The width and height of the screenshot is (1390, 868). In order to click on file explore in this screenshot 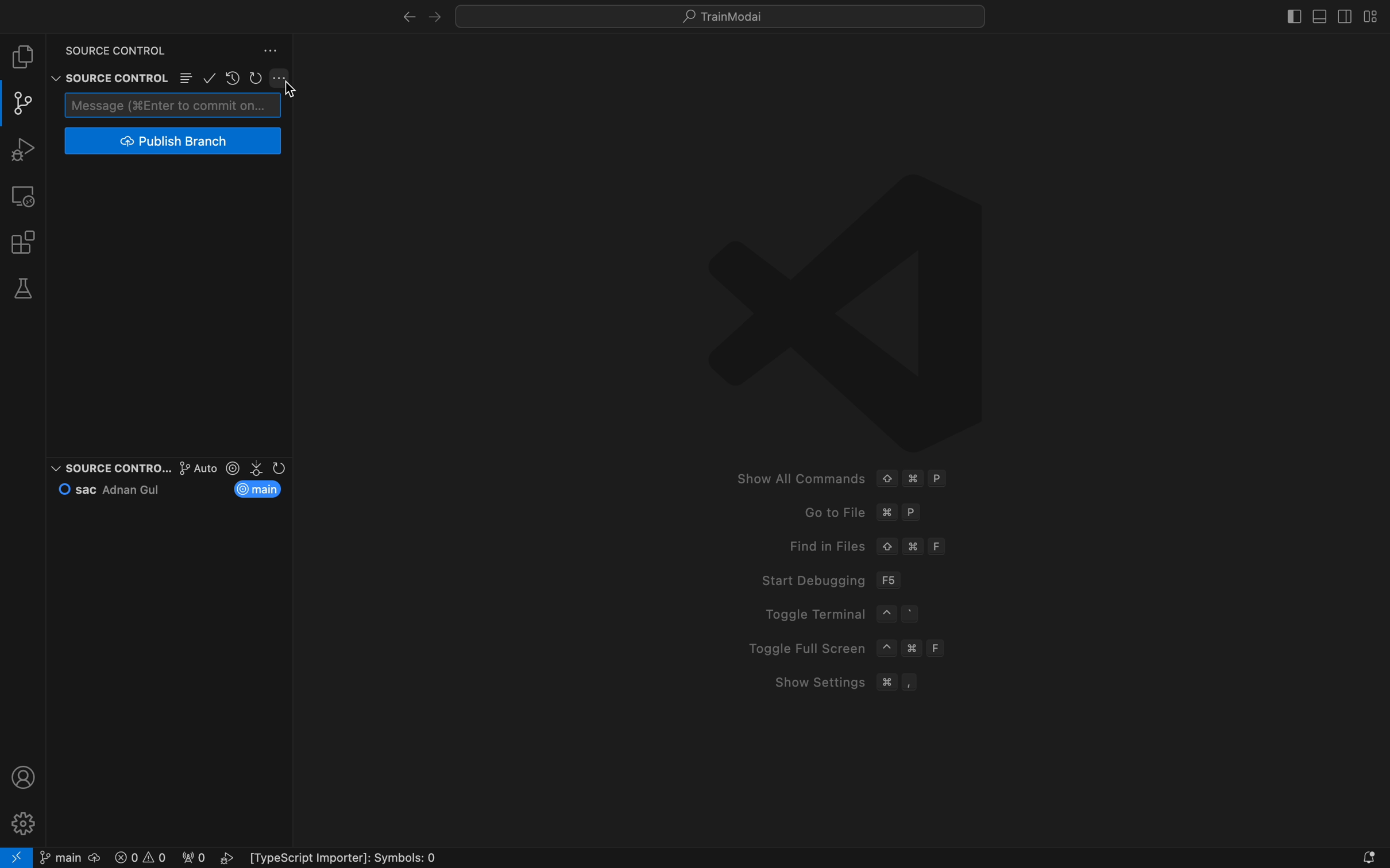, I will do `click(25, 57)`.